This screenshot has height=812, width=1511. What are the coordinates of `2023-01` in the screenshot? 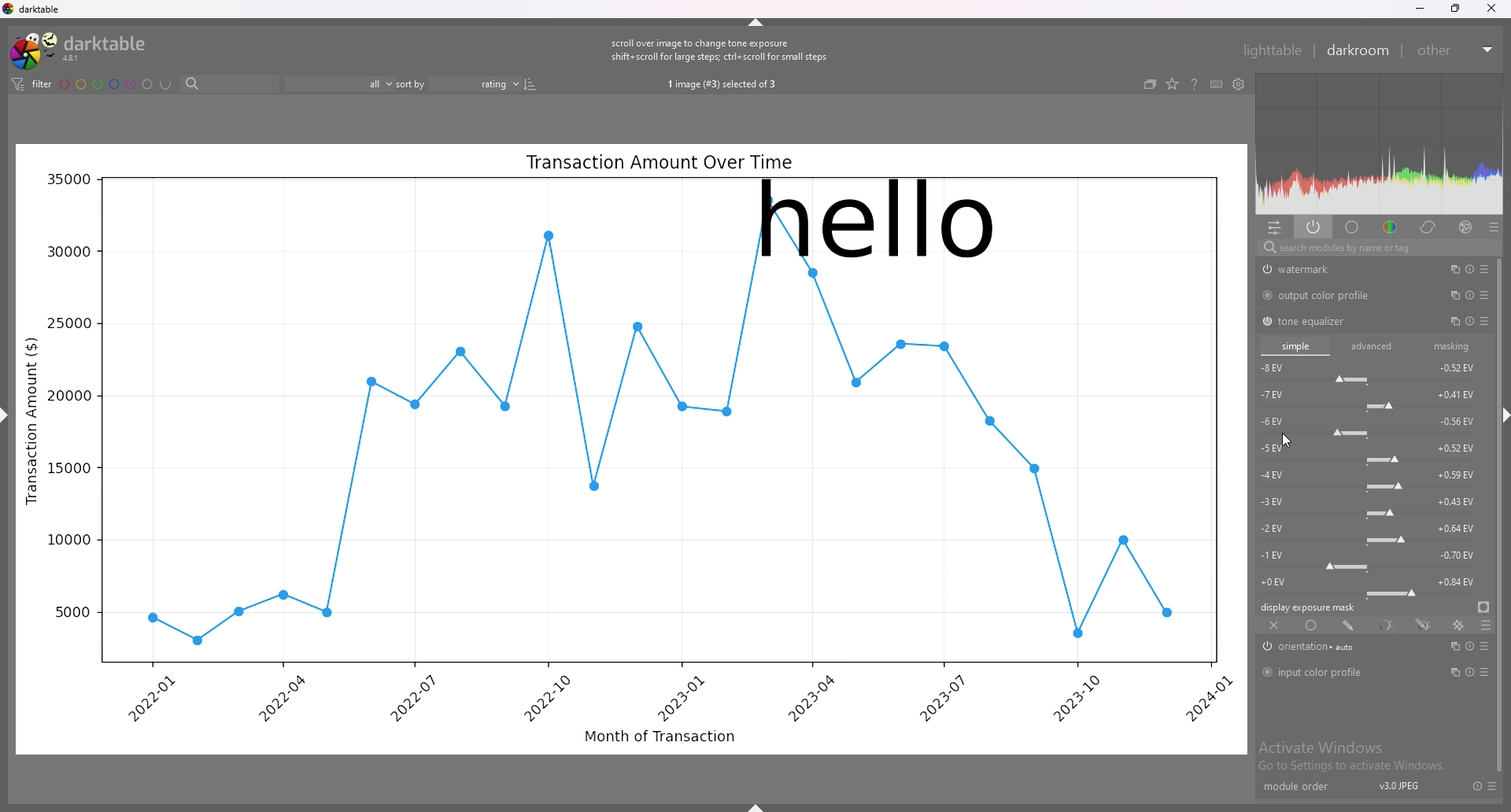 It's located at (679, 698).